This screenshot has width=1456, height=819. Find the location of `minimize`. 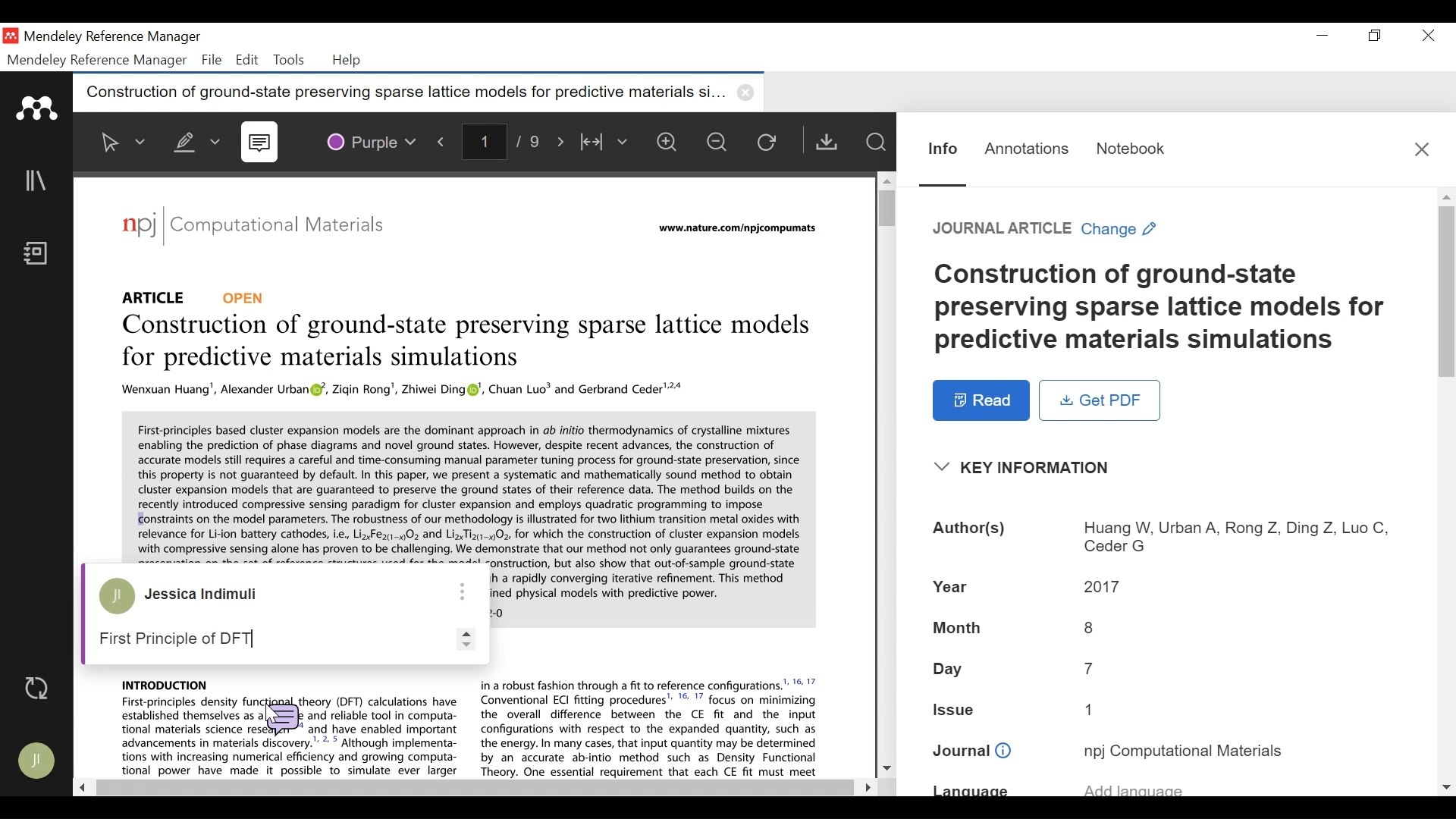

minimize is located at coordinates (1323, 36).